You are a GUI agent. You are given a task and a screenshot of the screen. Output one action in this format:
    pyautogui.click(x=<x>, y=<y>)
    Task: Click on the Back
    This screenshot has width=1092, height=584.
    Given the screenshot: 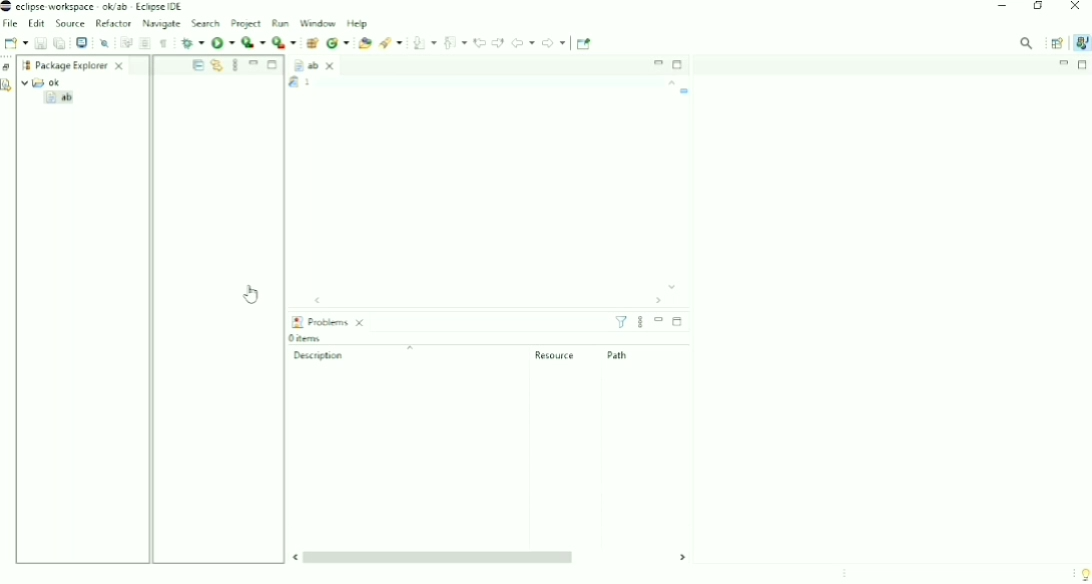 What is the action you would take?
    pyautogui.click(x=523, y=42)
    